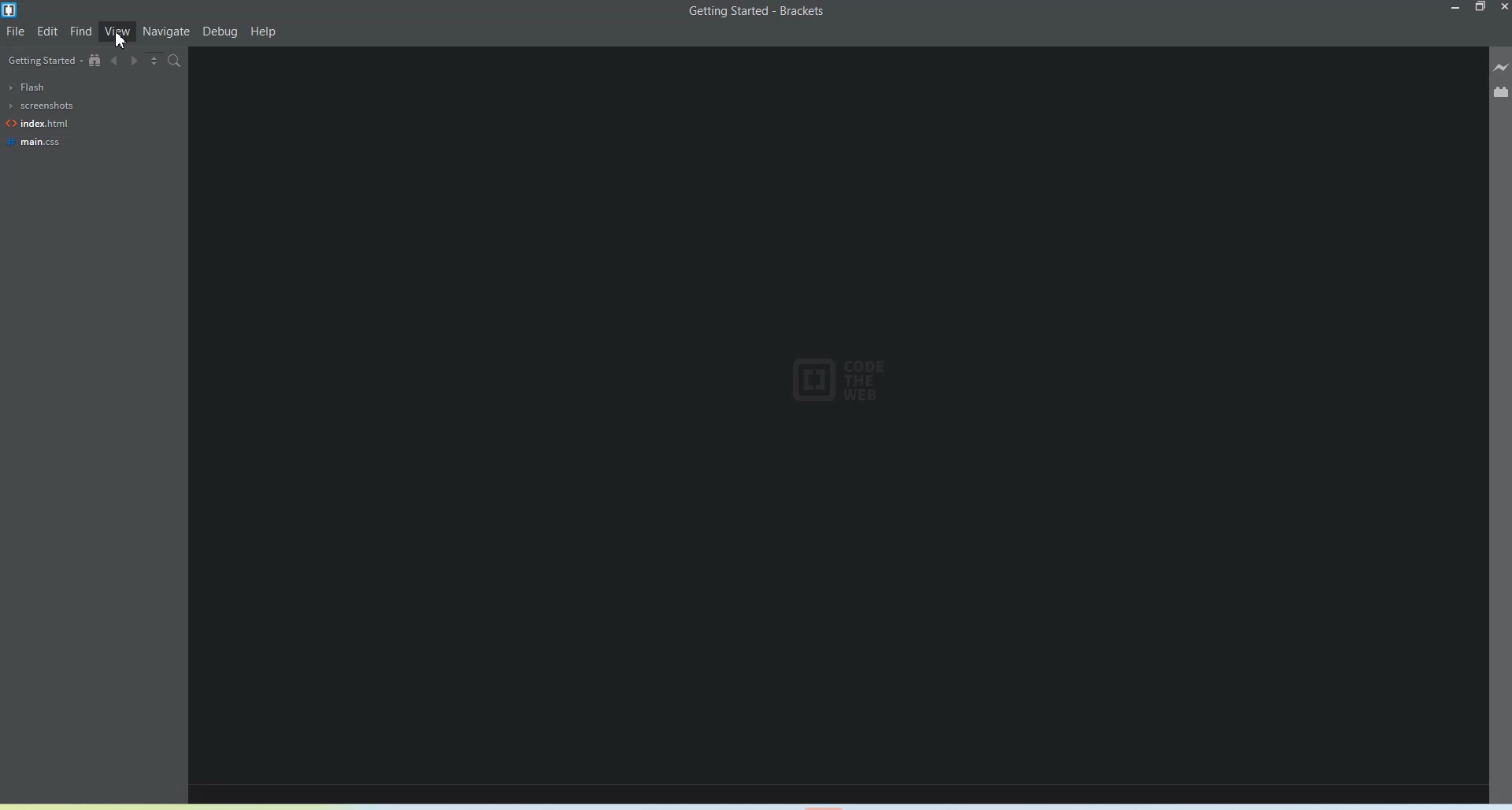 The image size is (1512, 810). Describe the element at coordinates (114, 61) in the screenshot. I see `Navigate Backward ` at that location.